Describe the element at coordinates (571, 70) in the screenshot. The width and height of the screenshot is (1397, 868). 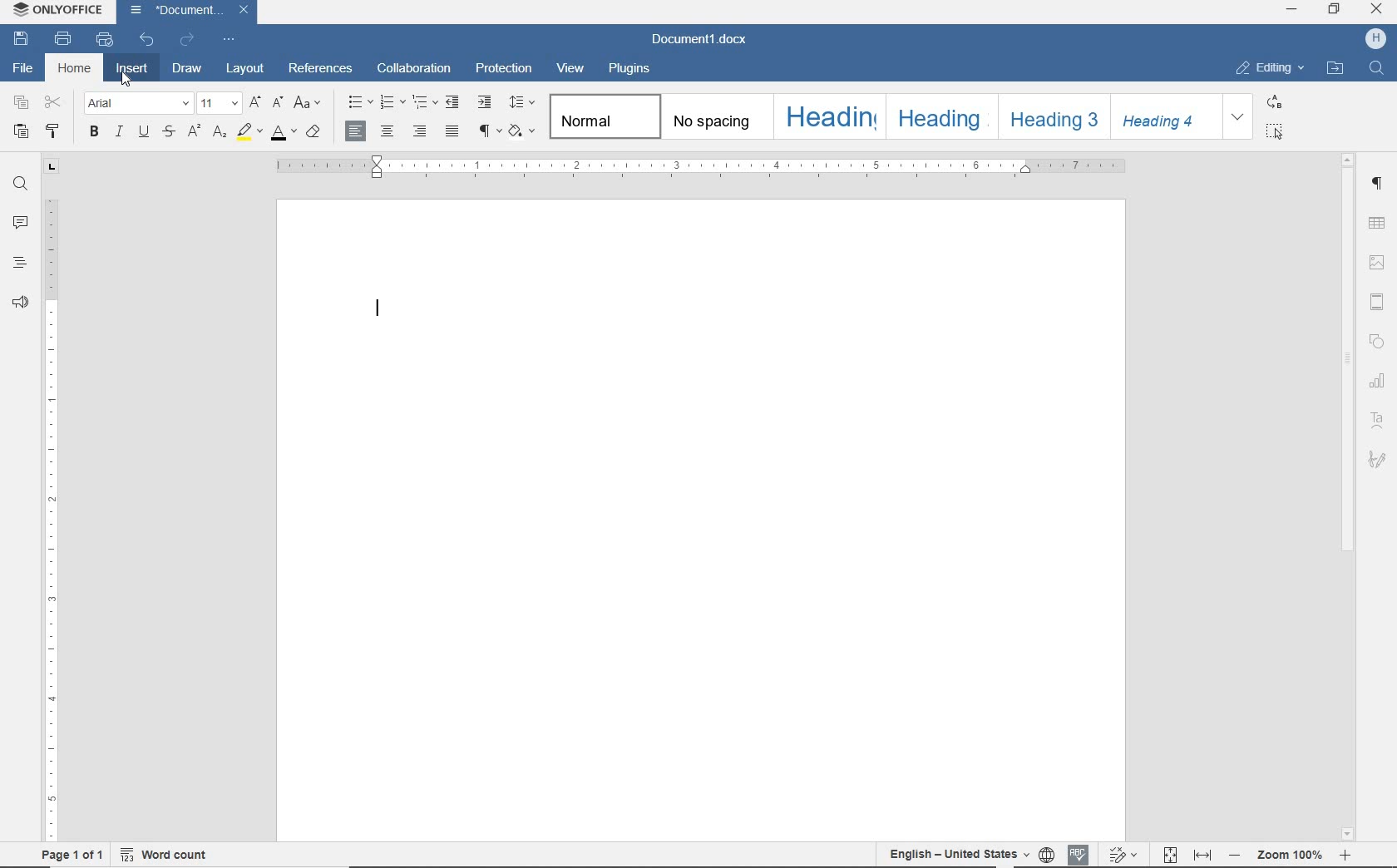
I see `view` at that location.